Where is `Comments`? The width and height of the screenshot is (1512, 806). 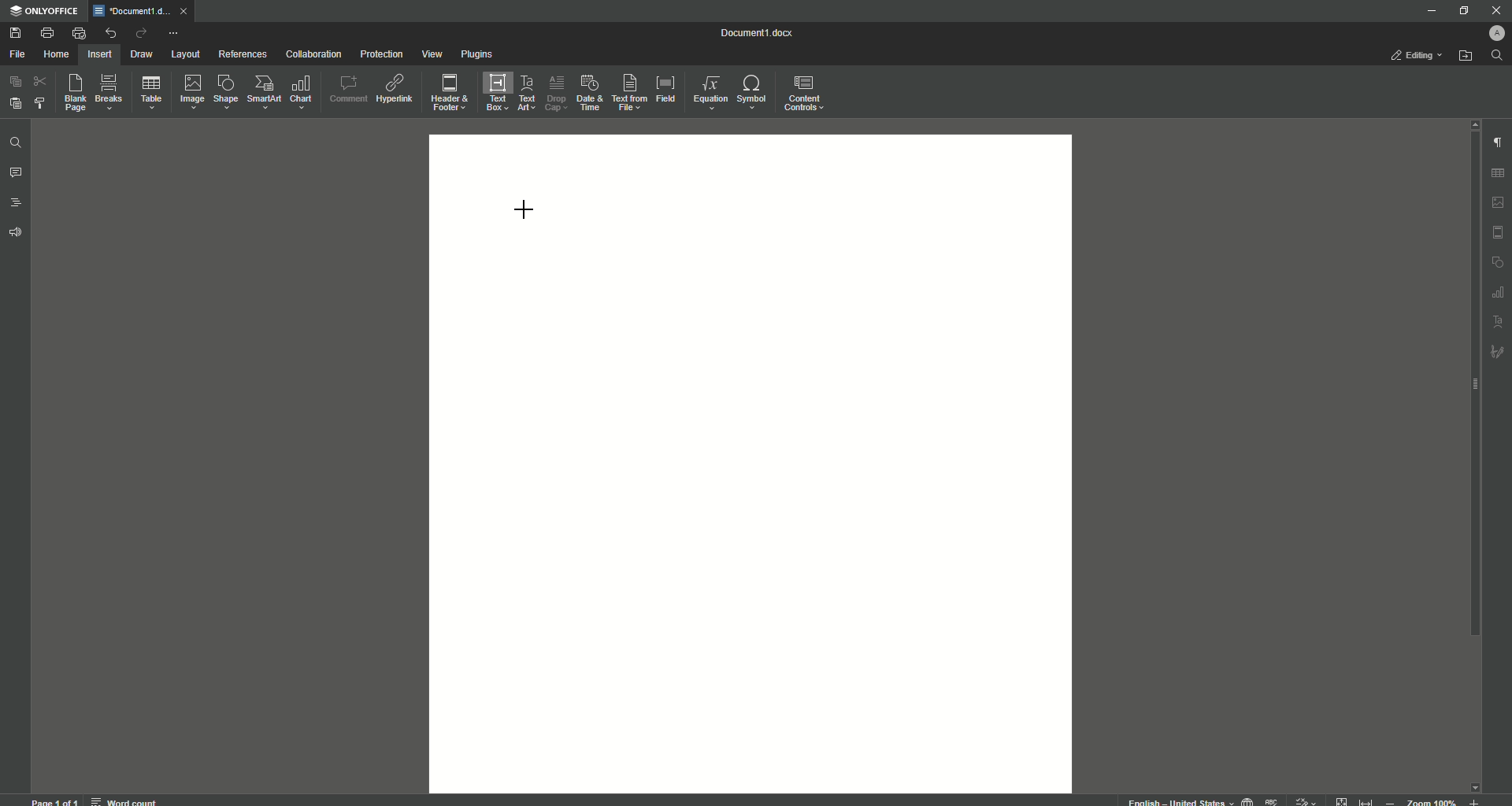 Comments is located at coordinates (16, 173).